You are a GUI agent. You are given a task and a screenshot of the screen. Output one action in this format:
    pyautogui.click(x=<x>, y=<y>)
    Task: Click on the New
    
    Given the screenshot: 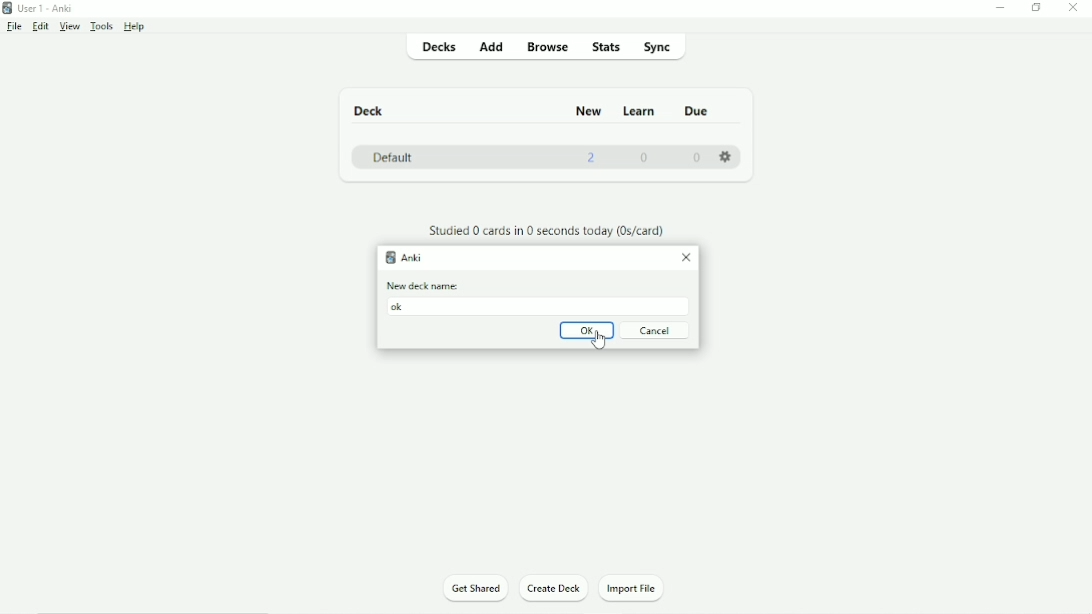 What is the action you would take?
    pyautogui.click(x=588, y=109)
    